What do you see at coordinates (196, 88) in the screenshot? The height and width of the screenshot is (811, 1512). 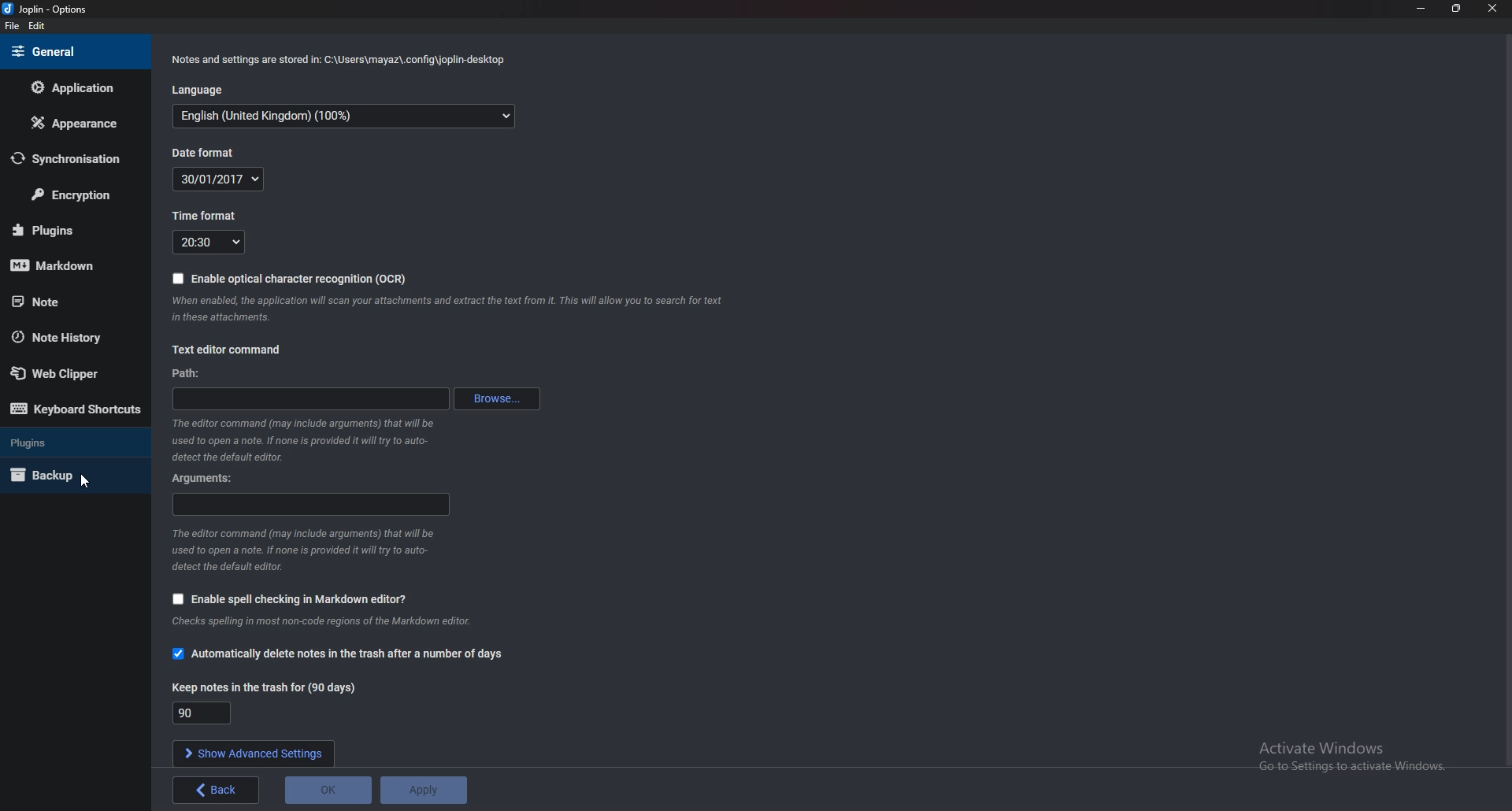 I see `language` at bounding box center [196, 88].